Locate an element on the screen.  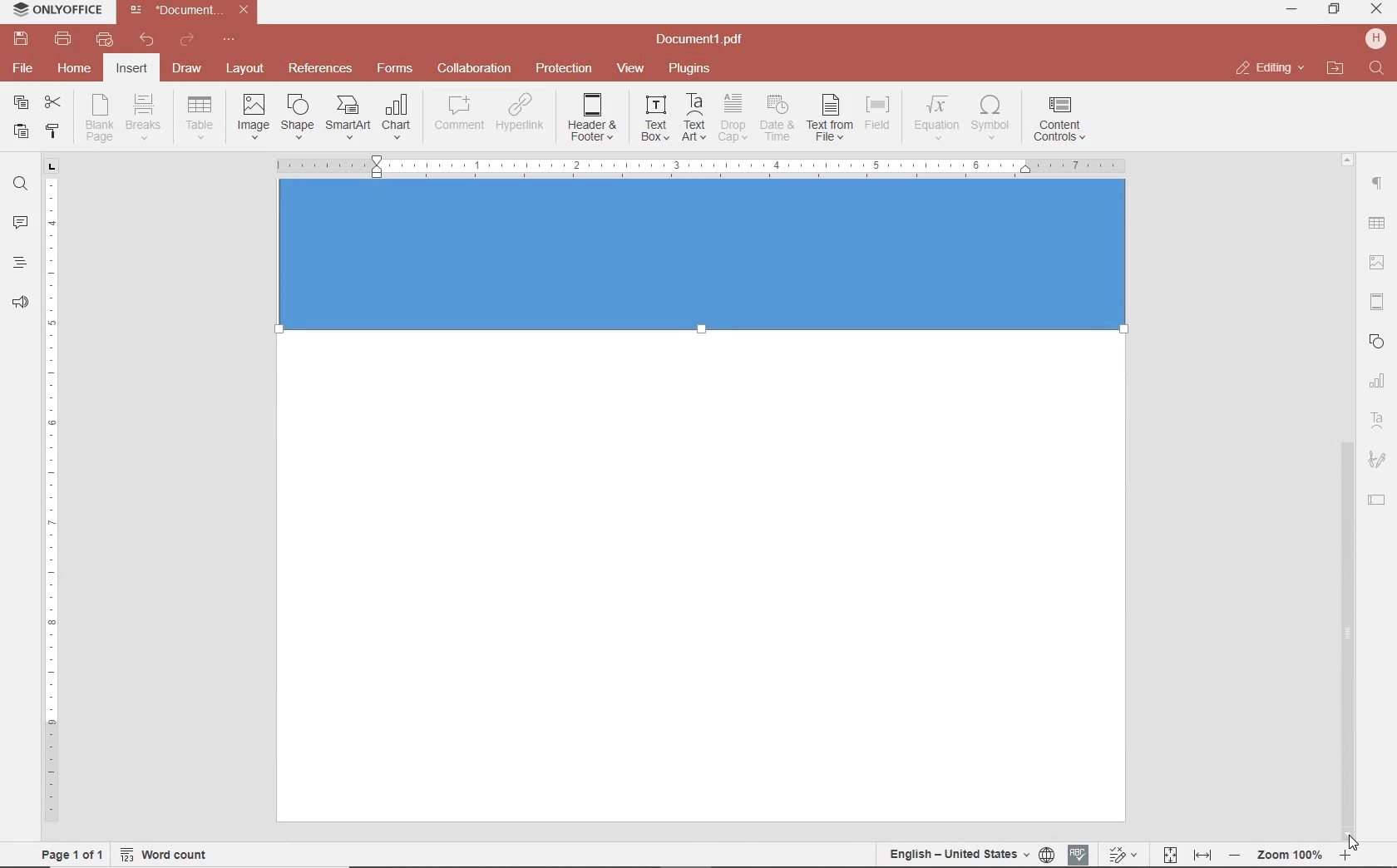
find is located at coordinates (20, 182).